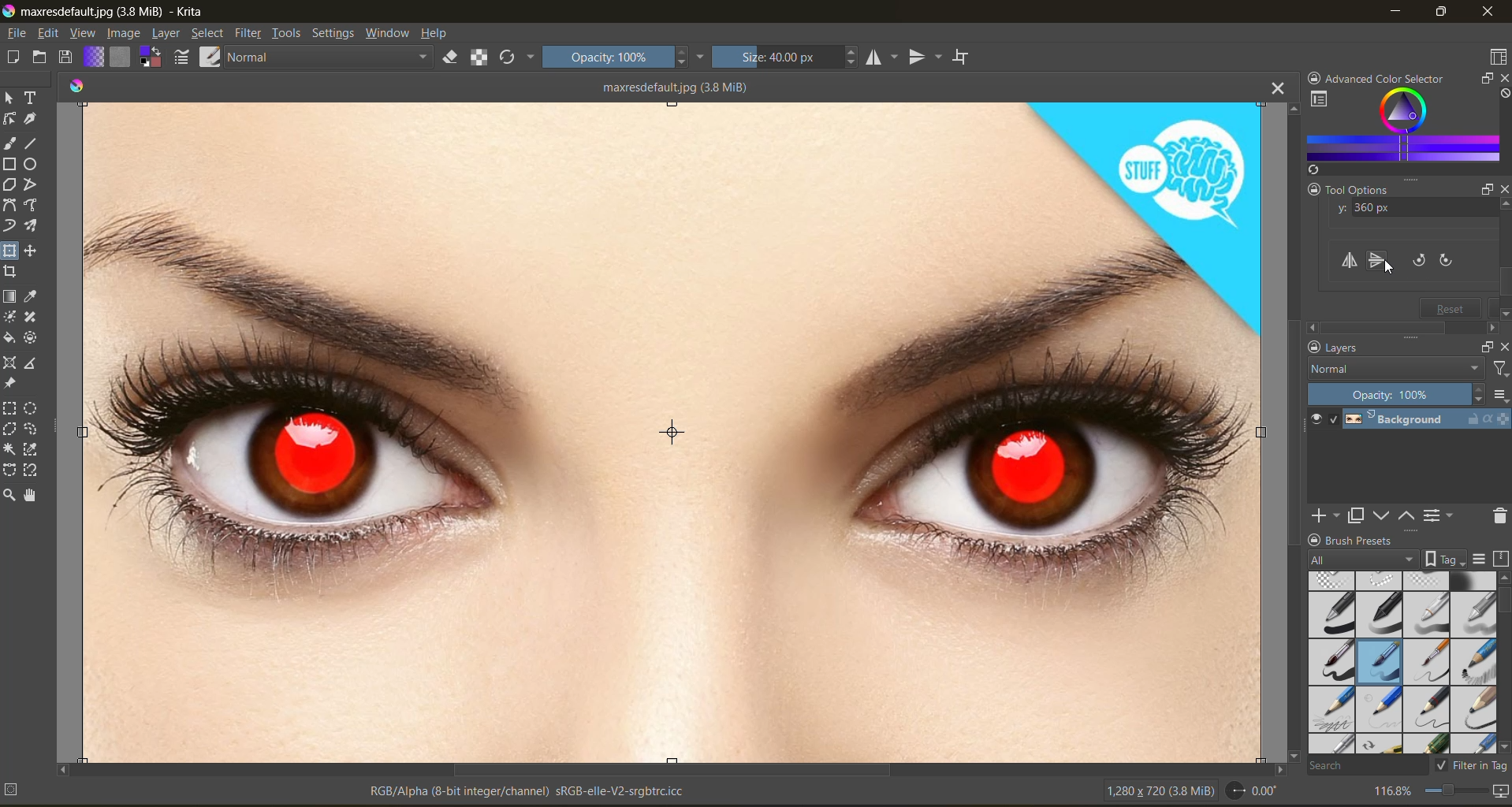  Describe the element at coordinates (1484, 558) in the screenshot. I see `display settings` at that location.